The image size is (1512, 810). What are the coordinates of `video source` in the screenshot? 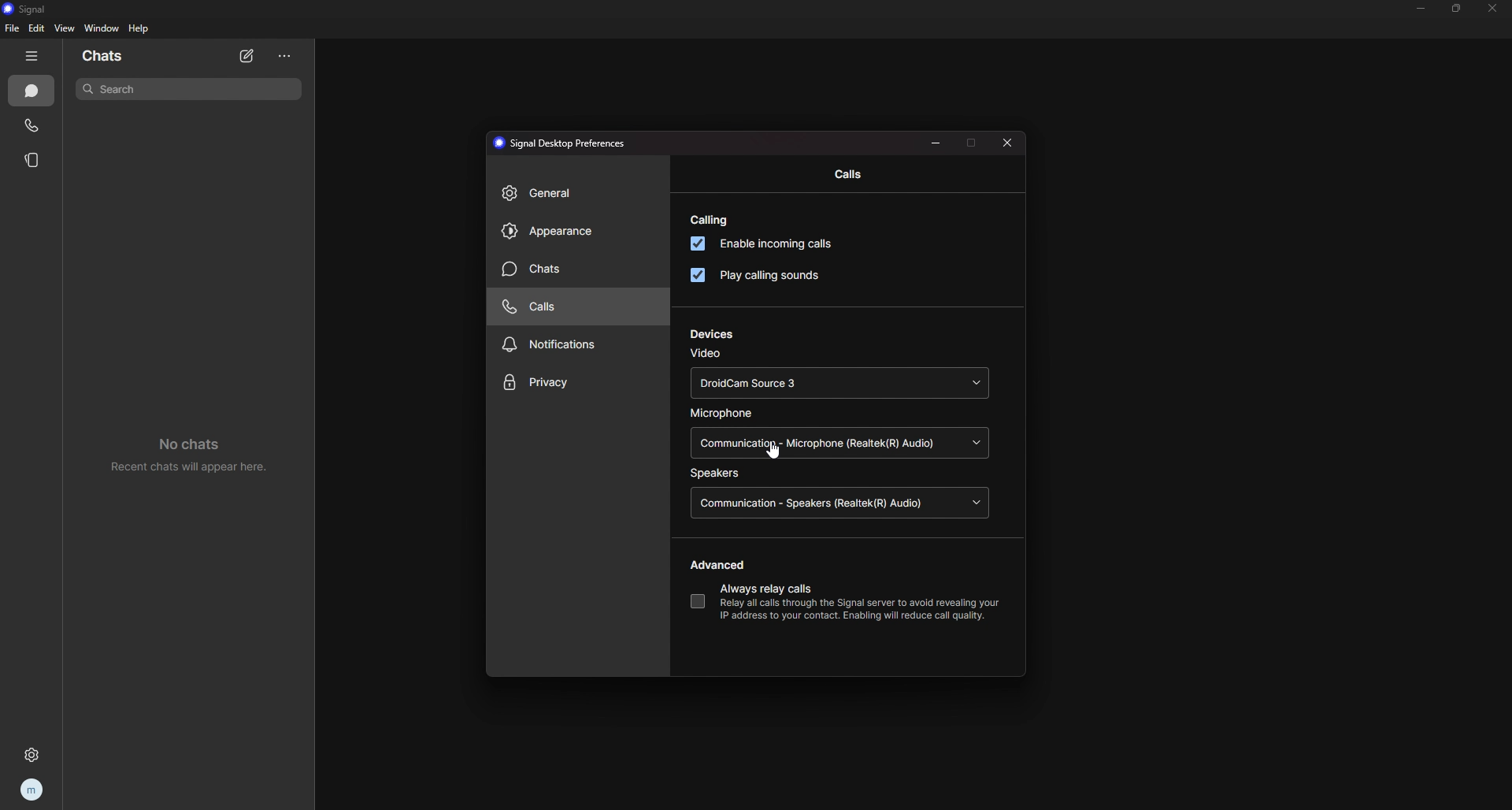 It's located at (838, 382).